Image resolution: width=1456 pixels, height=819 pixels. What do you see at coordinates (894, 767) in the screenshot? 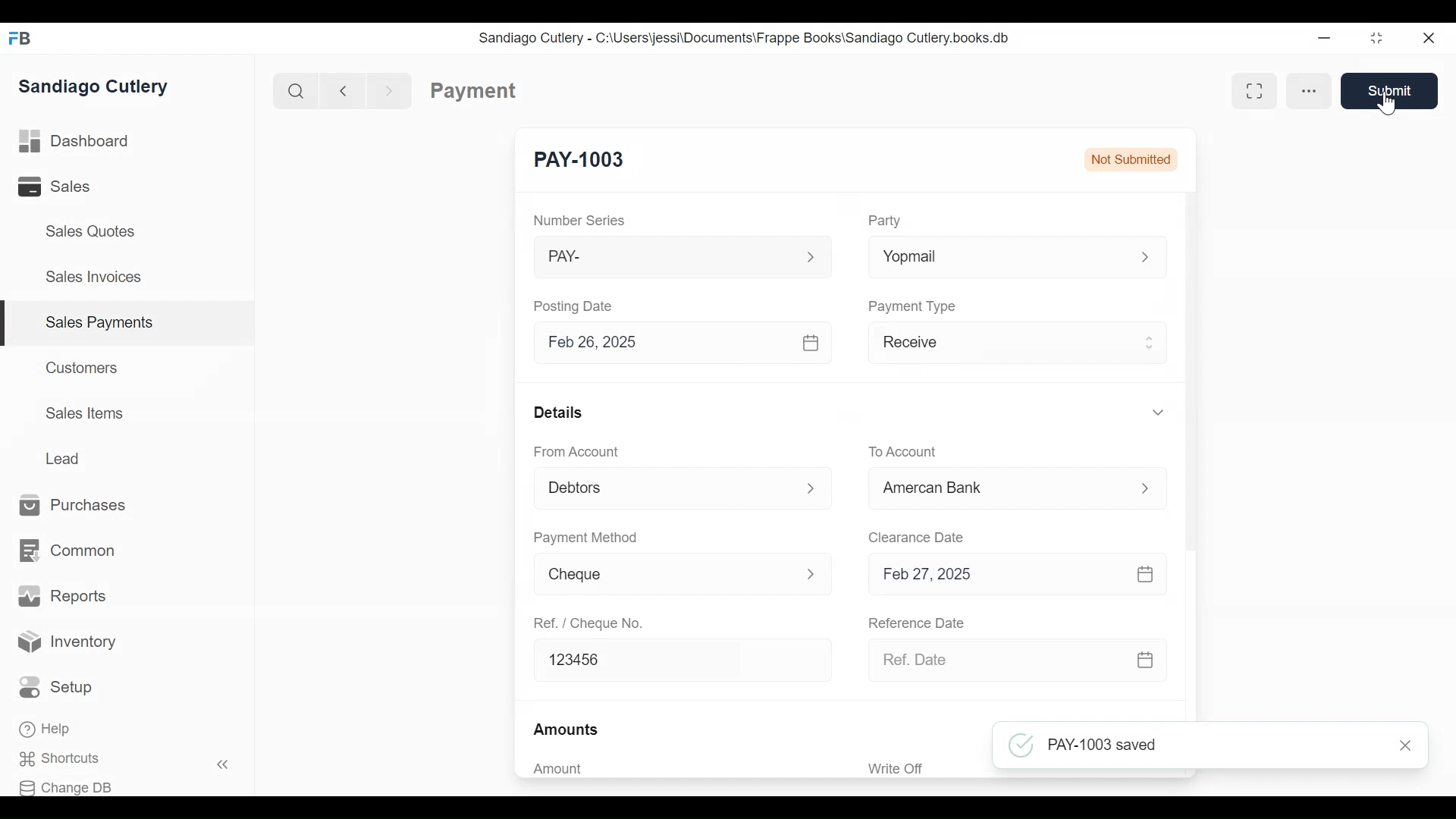
I see `Write Off` at bounding box center [894, 767].